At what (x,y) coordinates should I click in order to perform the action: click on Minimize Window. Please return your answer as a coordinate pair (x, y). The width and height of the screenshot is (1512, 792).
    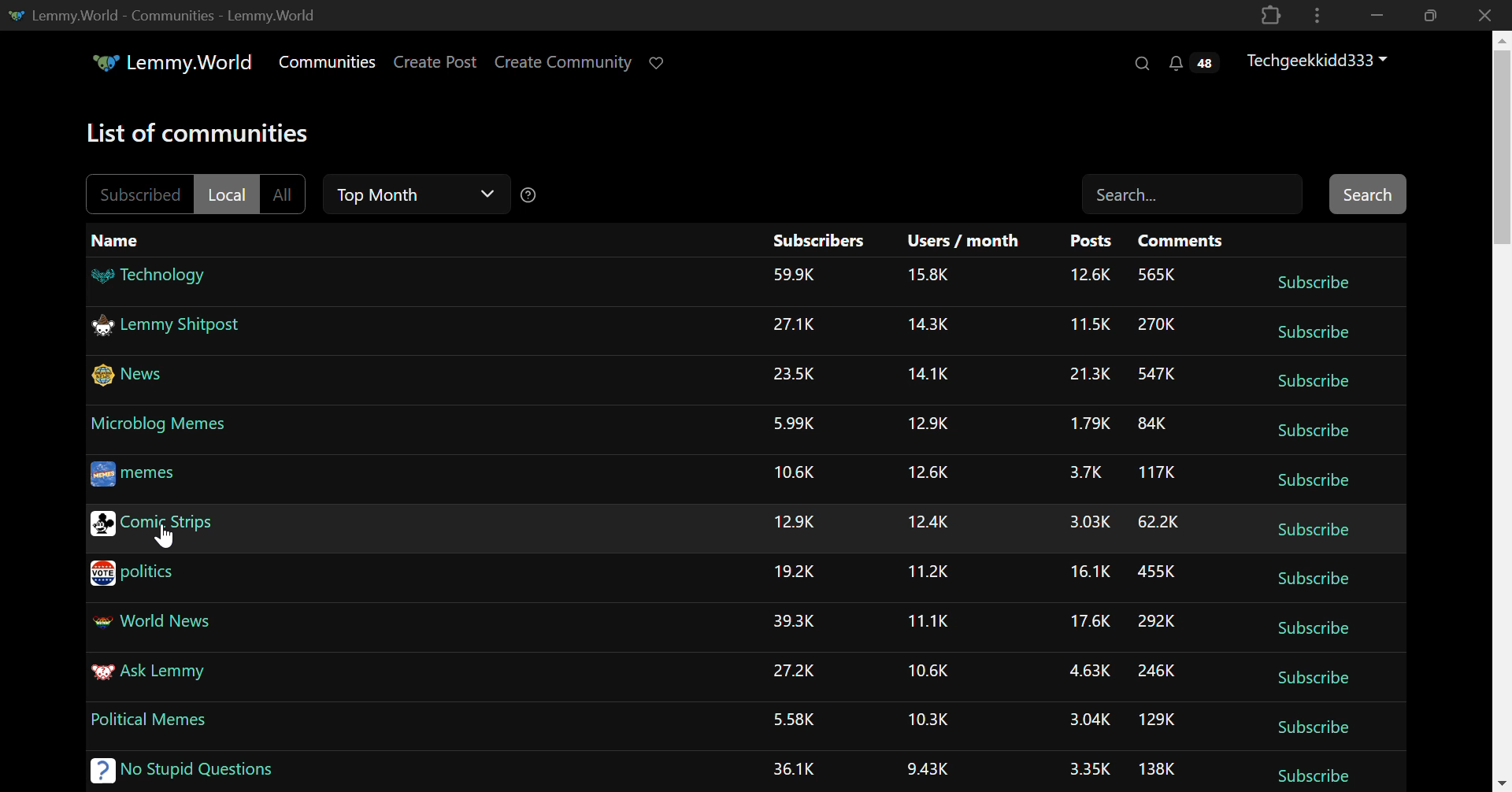
    Looking at the image, I should click on (1432, 15).